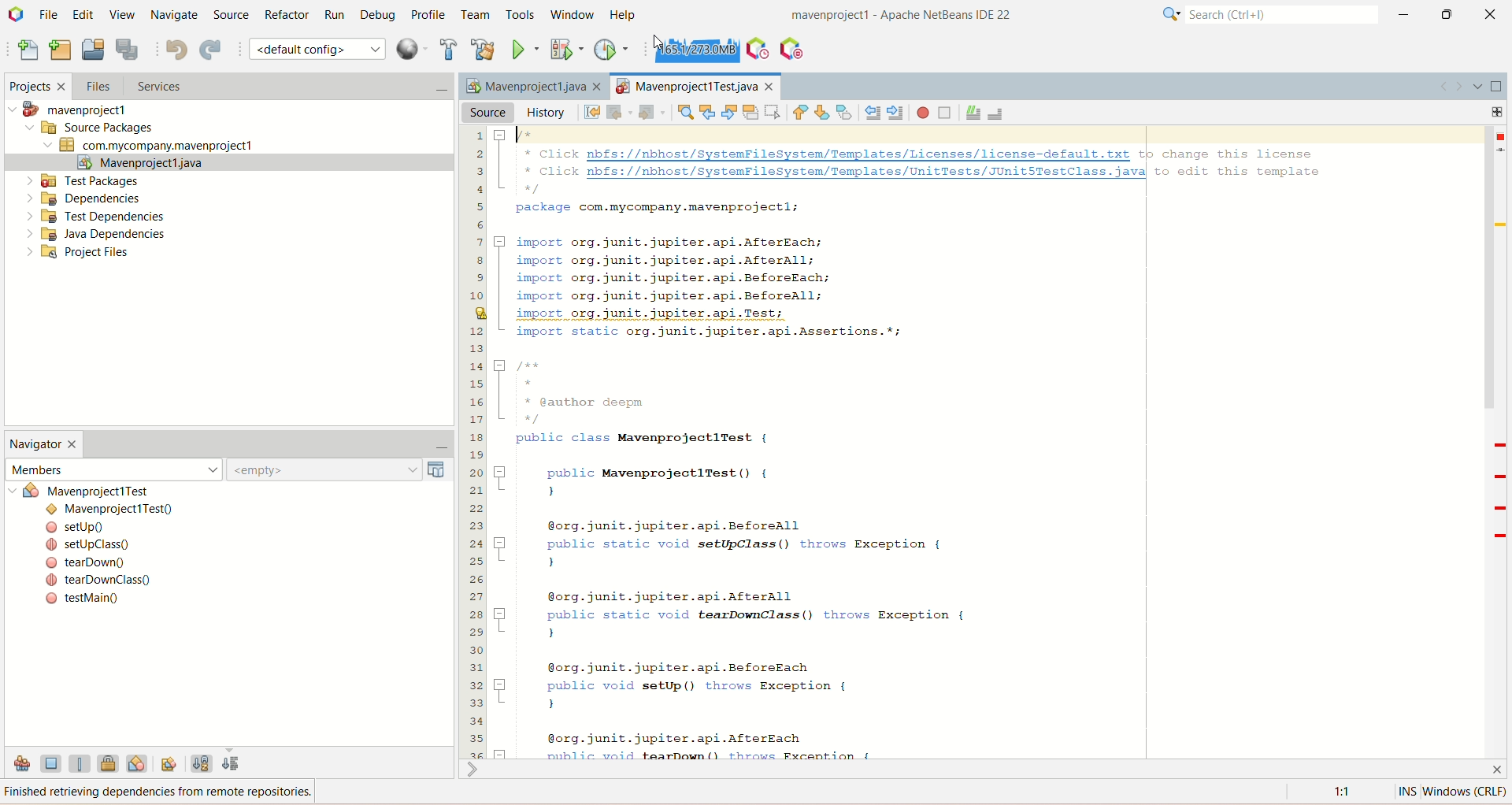 The height and width of the screenshot is (805, 1512). I want to click on test packages, so click(86, 180).